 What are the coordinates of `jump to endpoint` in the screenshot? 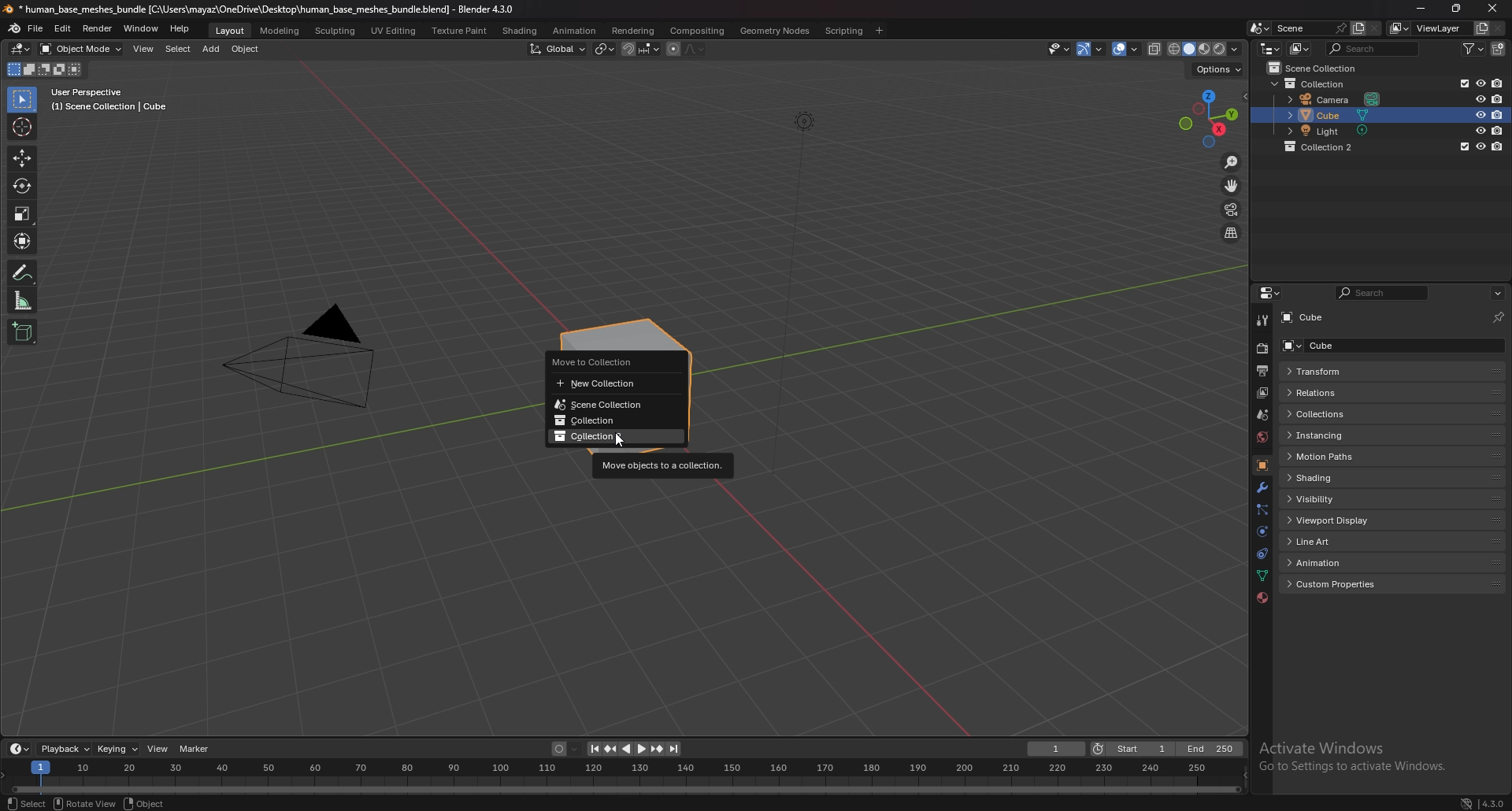 It's located at (676, 750).